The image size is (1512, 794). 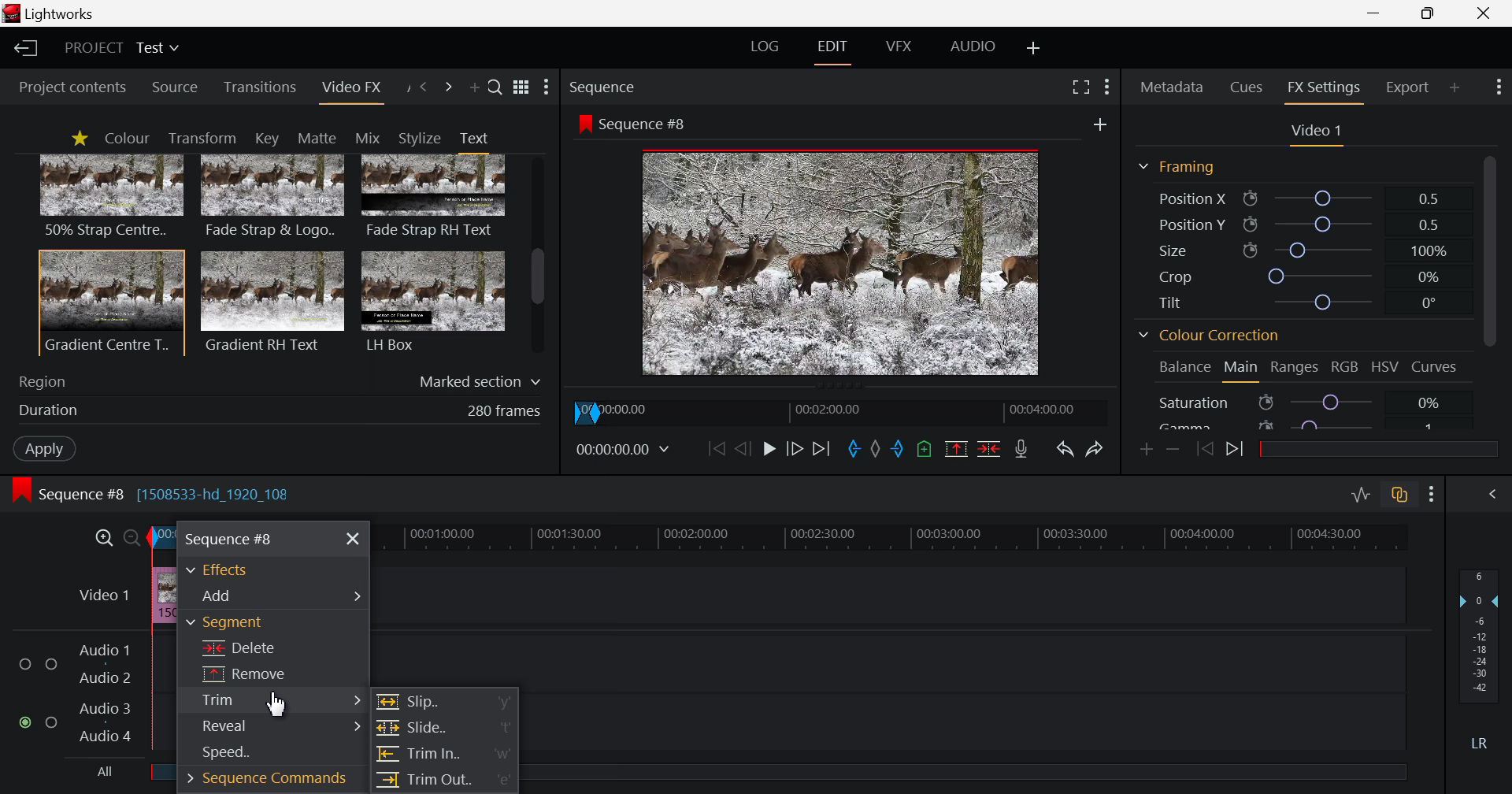 What do you see at coordinates (1296, 199) in the screenshot?
I see `Position X` at bounding box center [1296, 199].